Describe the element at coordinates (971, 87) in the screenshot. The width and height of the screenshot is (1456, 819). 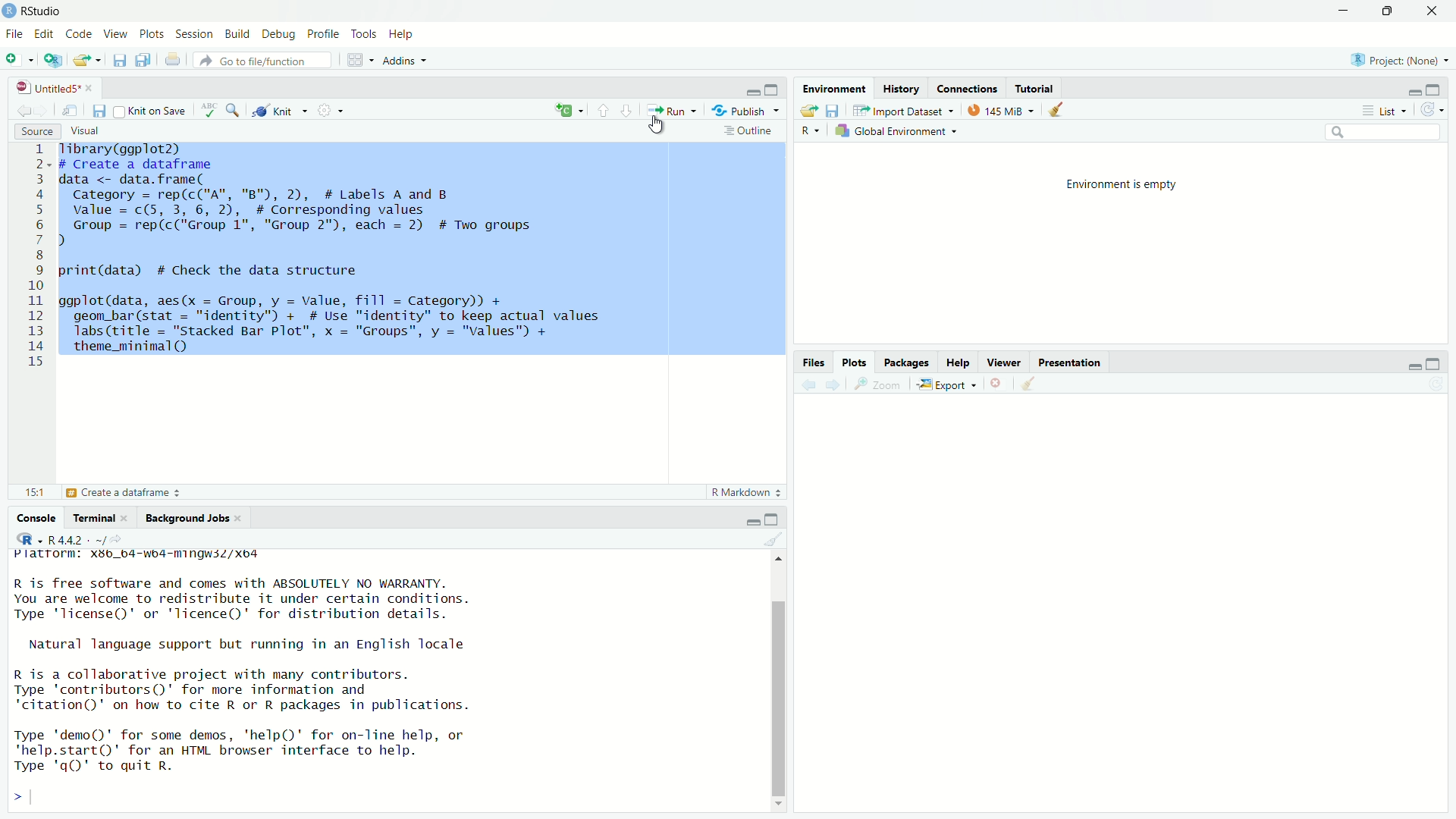
I see `Connections` at that location.